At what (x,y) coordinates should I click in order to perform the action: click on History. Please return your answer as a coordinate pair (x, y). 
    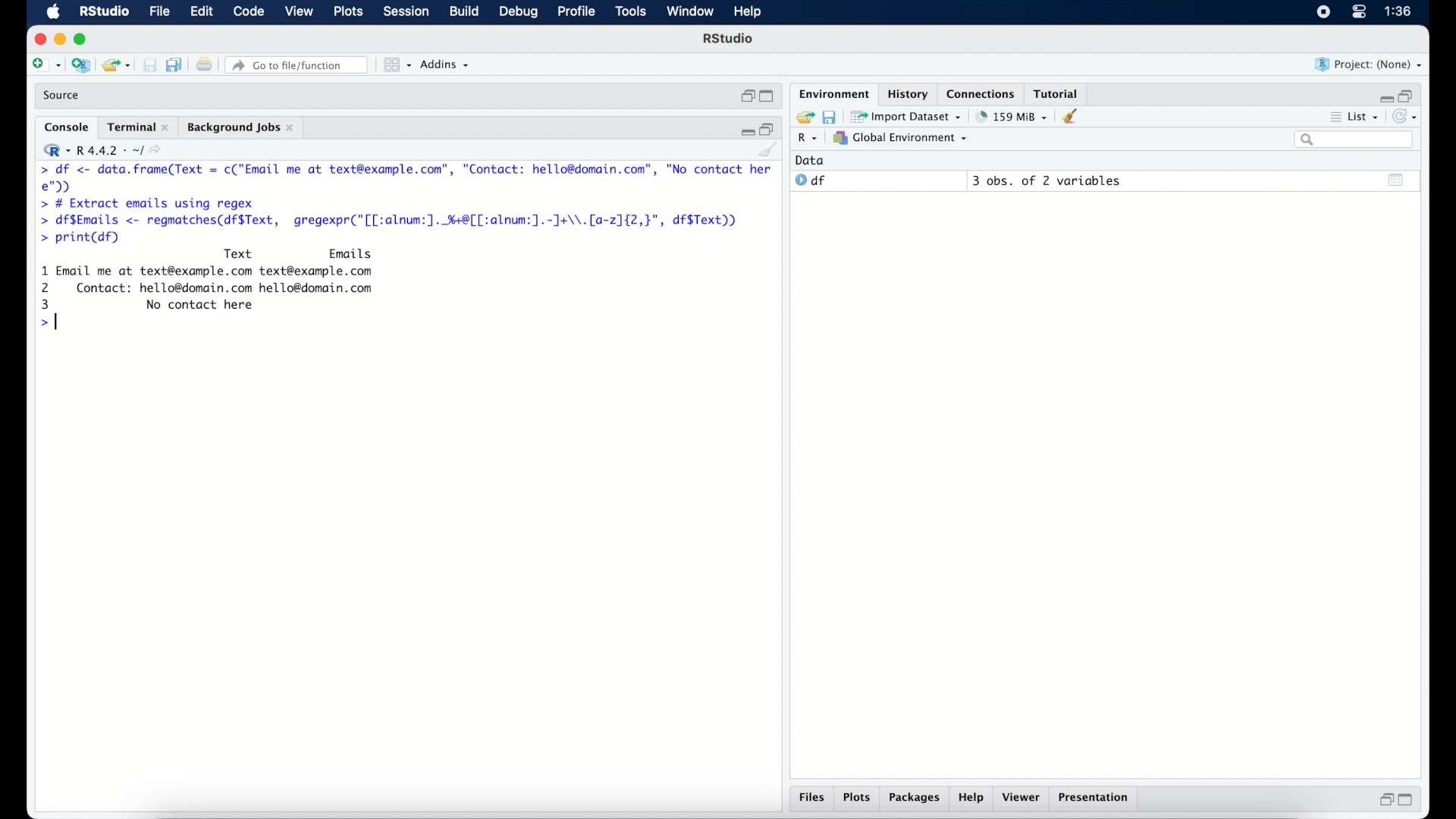
    Looking at the image, I should click on (906, 93).